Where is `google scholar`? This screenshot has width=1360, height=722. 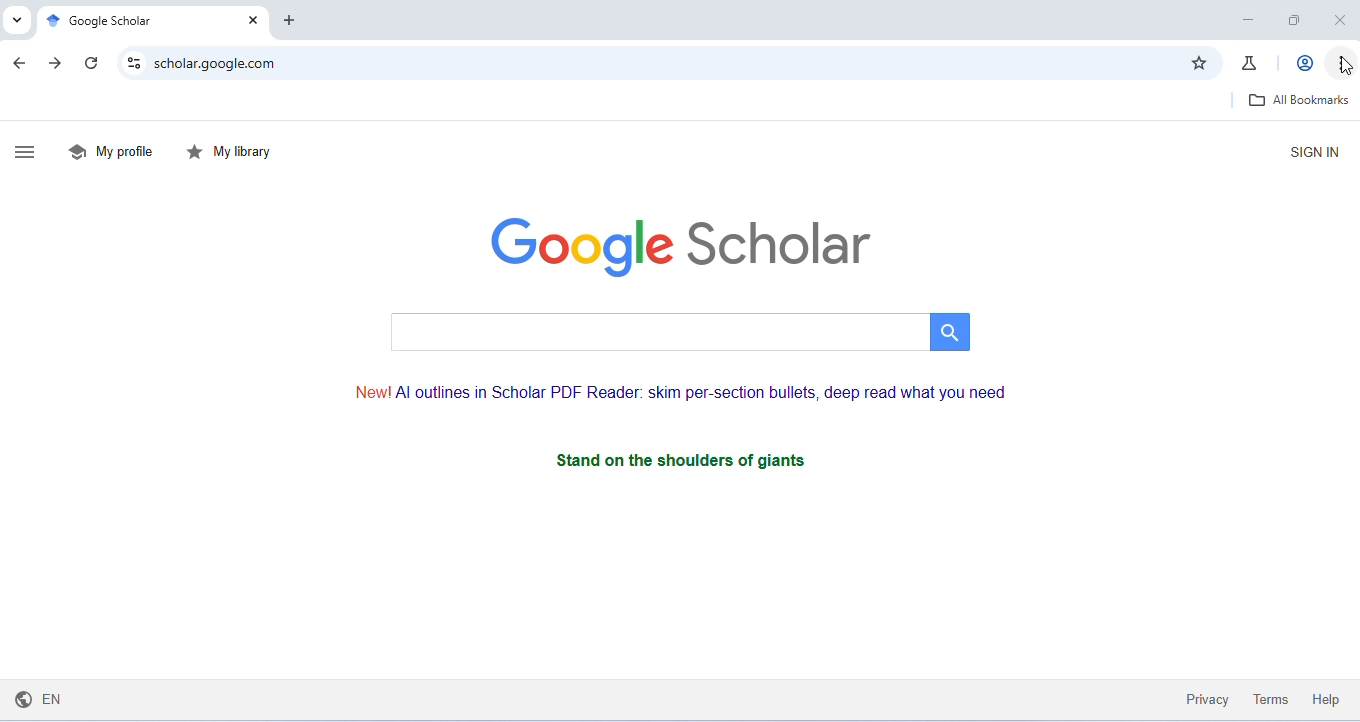 google scholar is located at coordinates (99, 21).